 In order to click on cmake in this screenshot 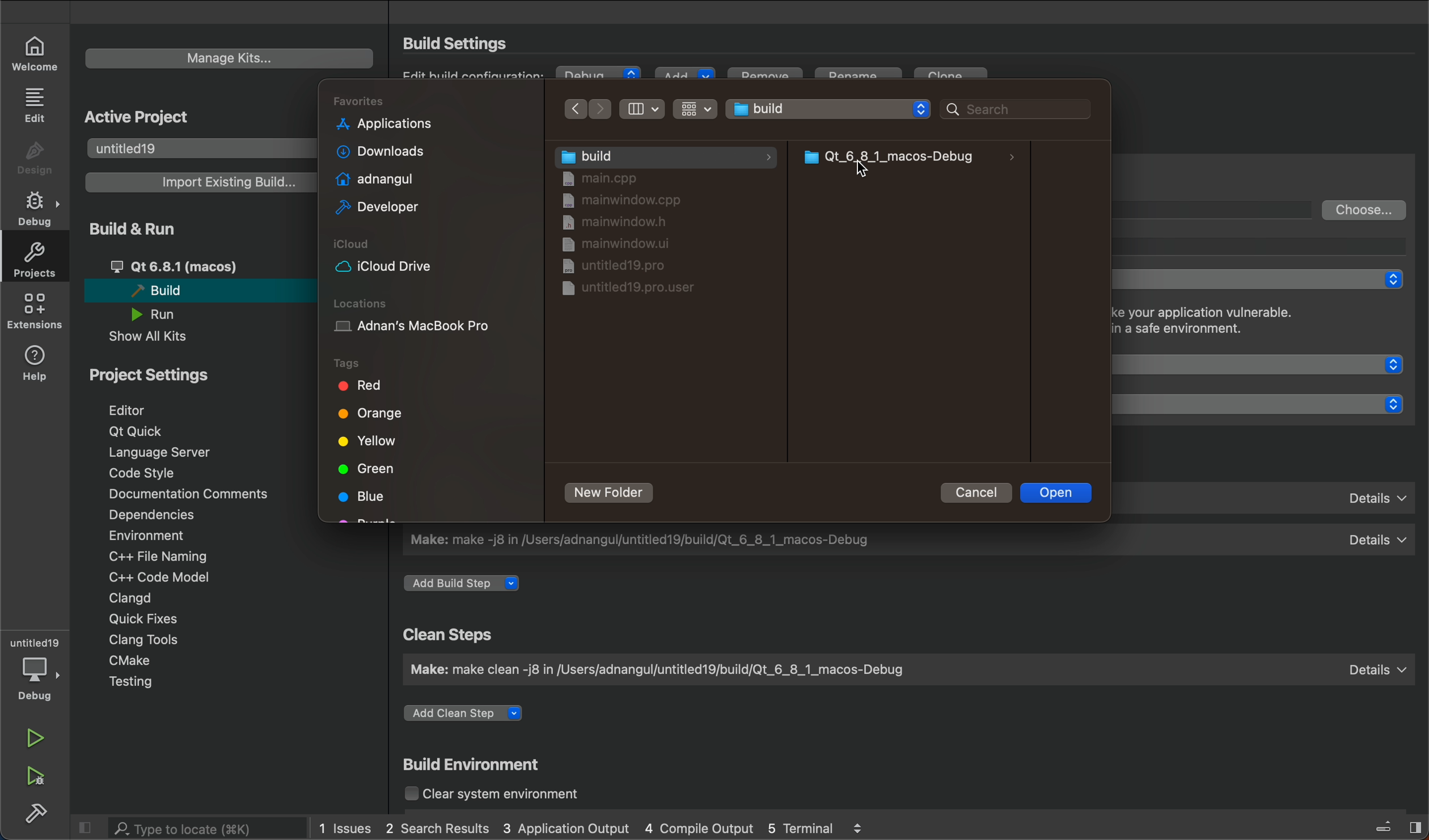, I will do `click(137, 662)`.